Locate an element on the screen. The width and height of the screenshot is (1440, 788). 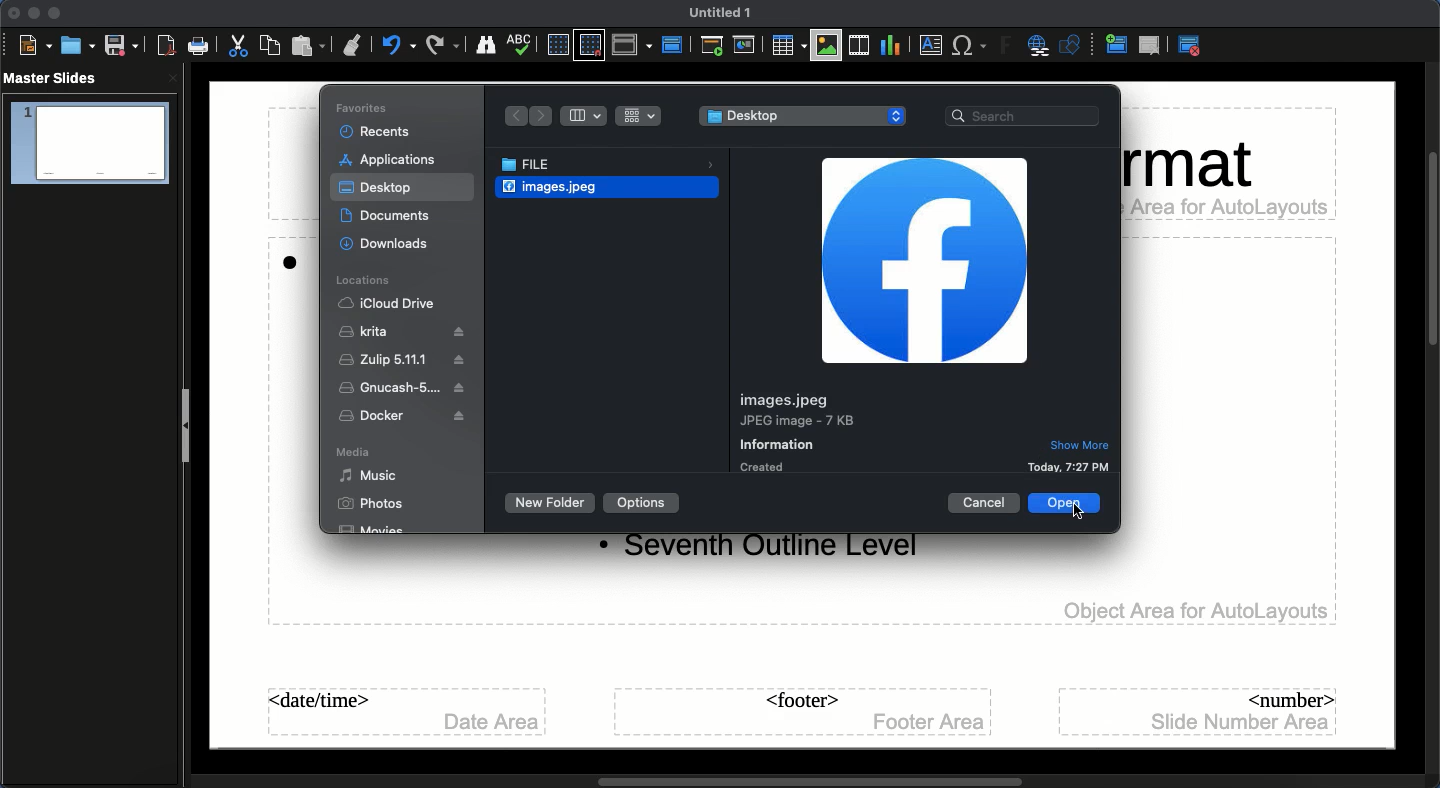
Hyperlink is located at coordinates (1038, 46).